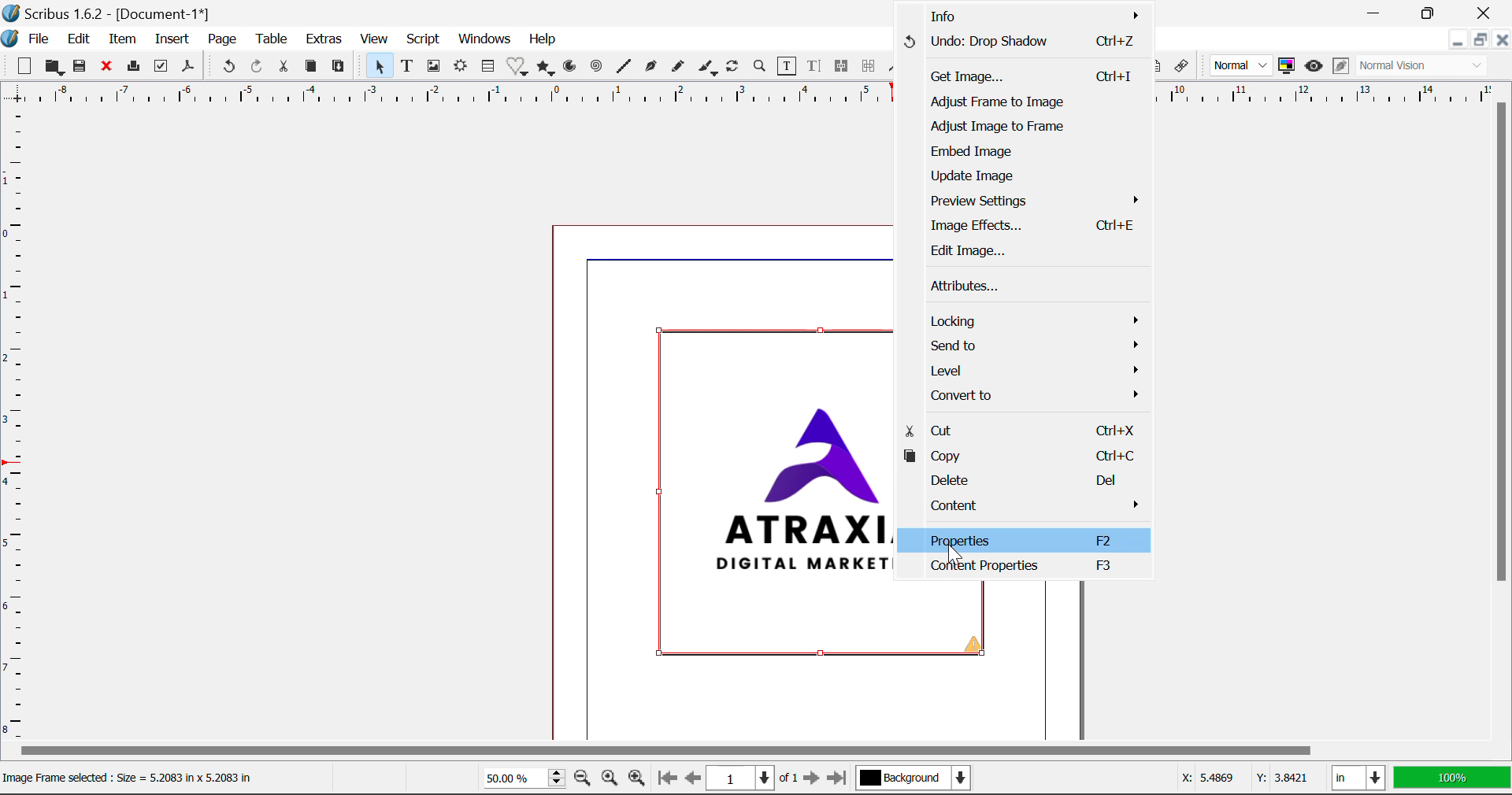 The width and height of the screenshot is (1512, 795). I want to click on Properties, so click(1025, 539).